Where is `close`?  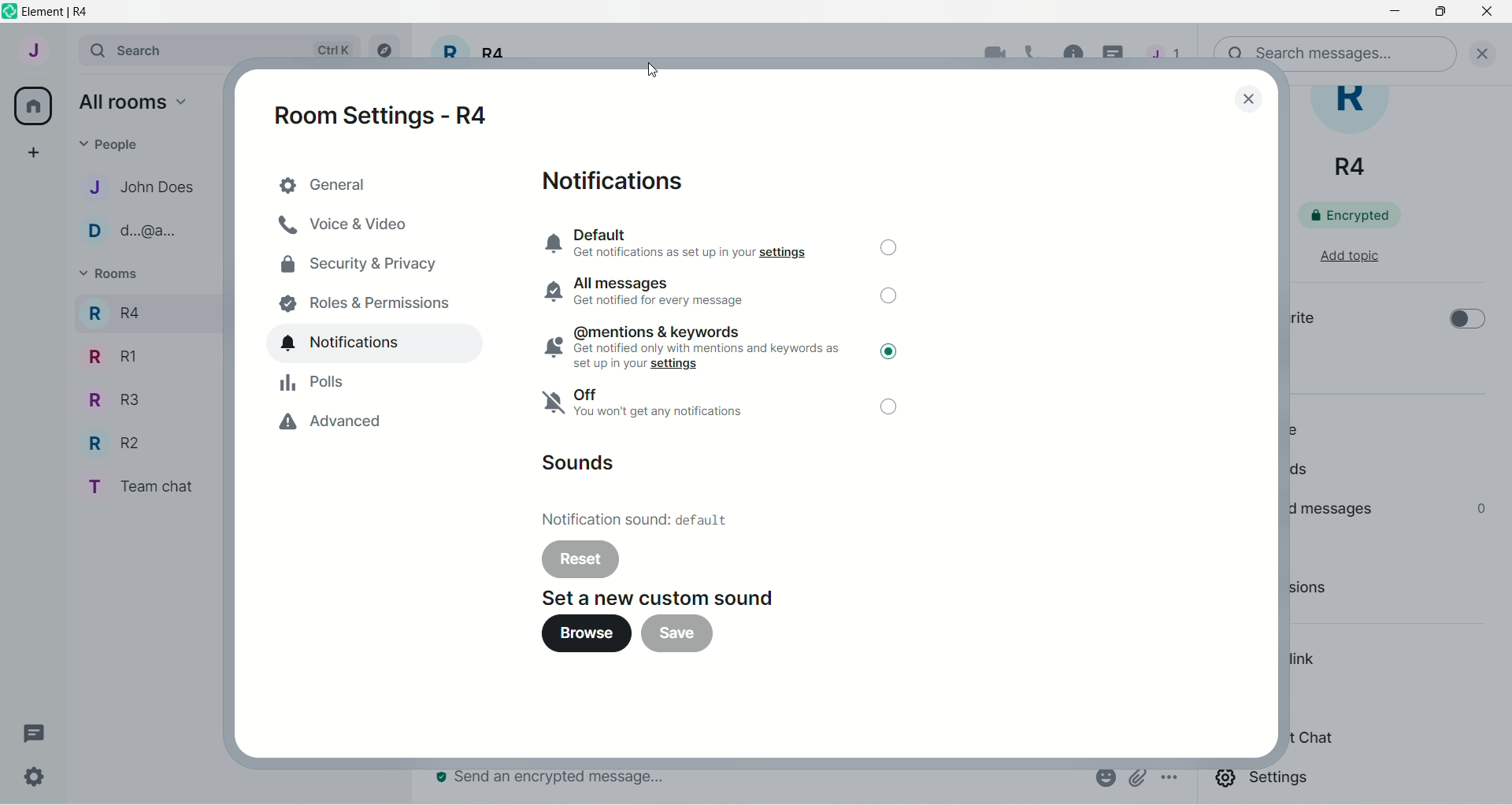
close is located at coordinates (1488, 52).